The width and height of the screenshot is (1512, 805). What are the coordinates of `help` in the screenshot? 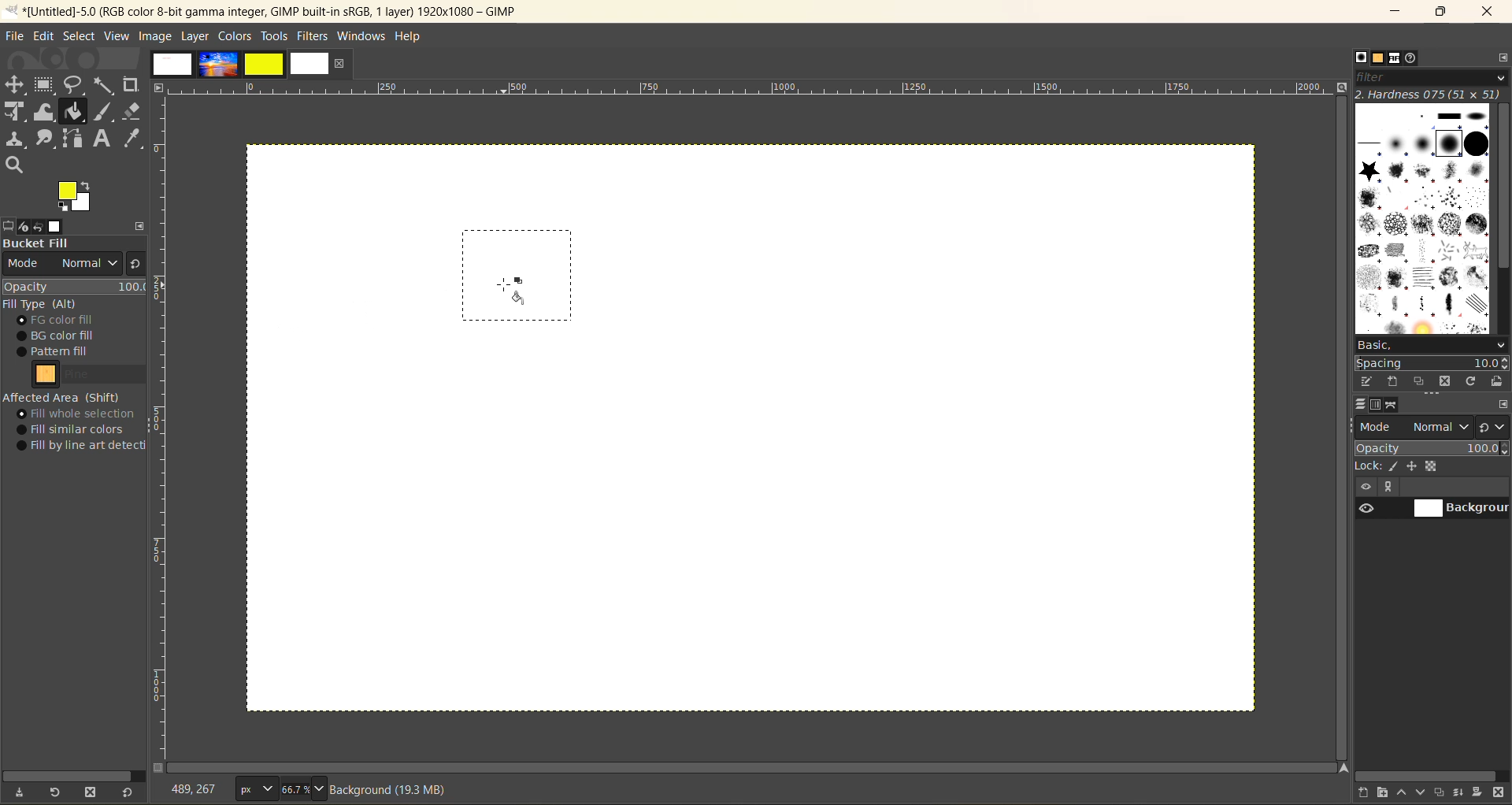 It's located at (413, 35).